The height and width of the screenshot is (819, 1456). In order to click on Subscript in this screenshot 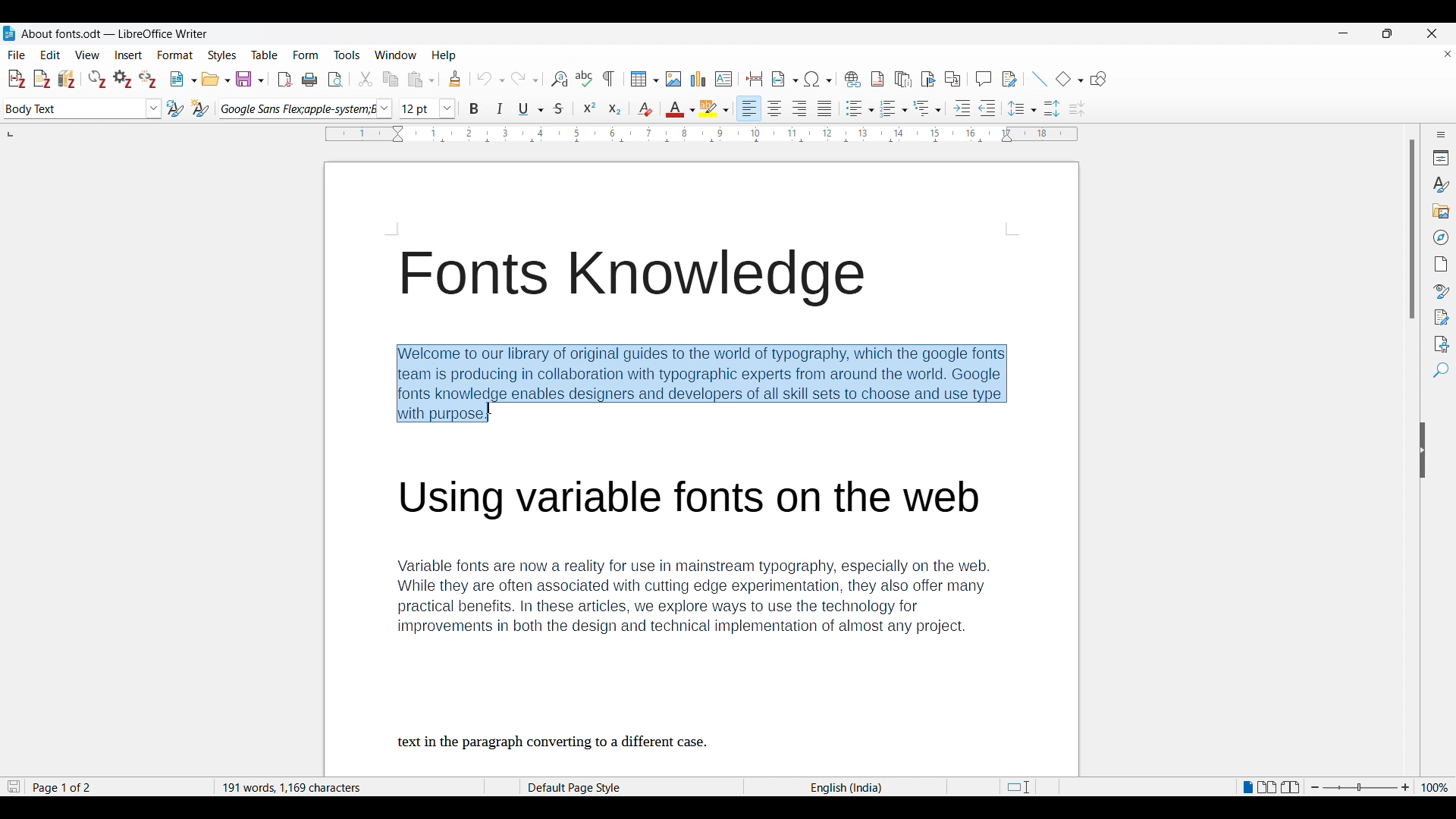, I will do `click(615, 108)`.